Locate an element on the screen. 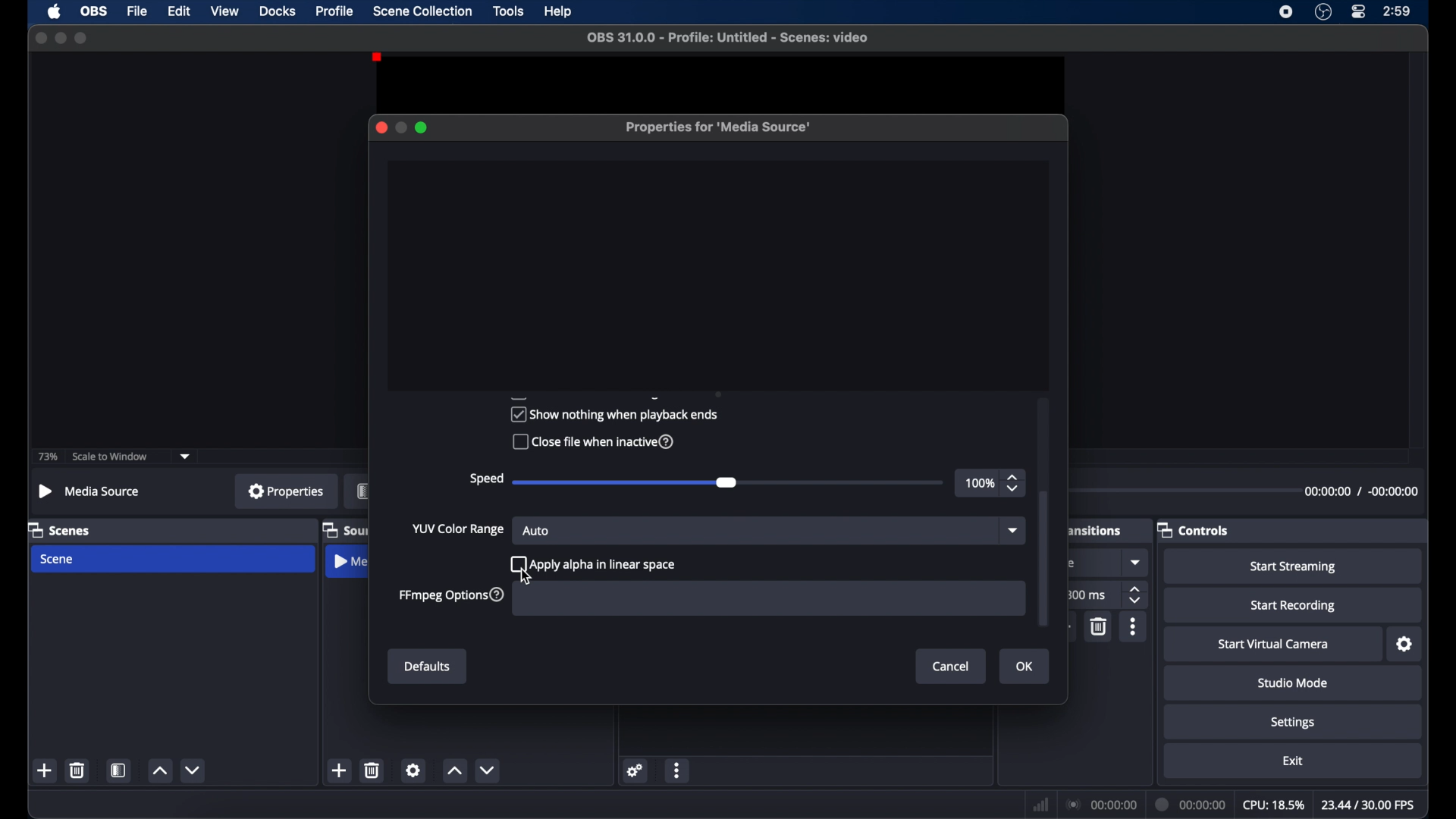 This screenshot has width=1456, height=819. scale to window is located at coordinates (112, 456).